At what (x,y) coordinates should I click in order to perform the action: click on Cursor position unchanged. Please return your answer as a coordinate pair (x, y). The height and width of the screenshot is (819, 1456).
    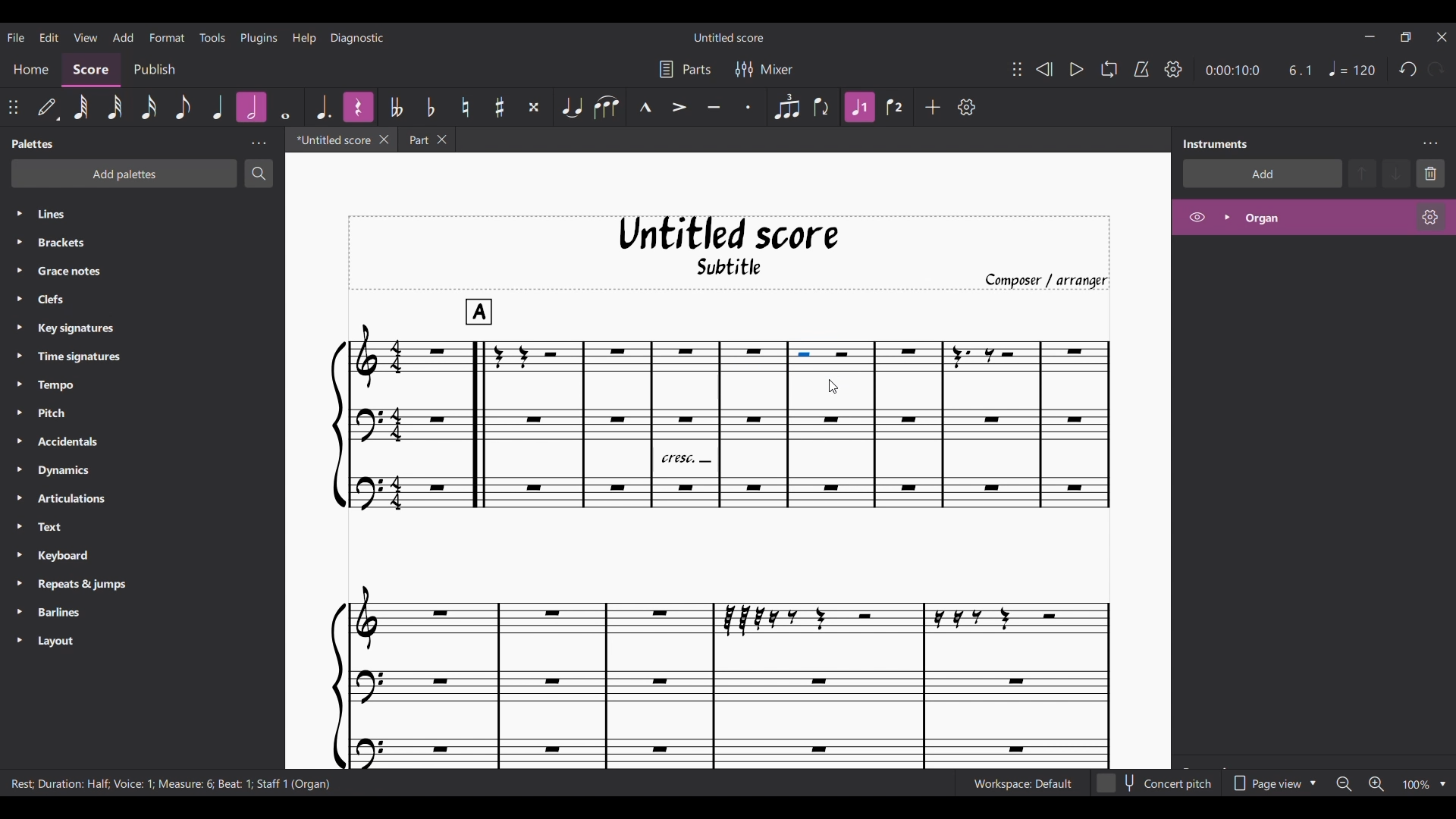
    Looking at the image, I should click on (834, 387).